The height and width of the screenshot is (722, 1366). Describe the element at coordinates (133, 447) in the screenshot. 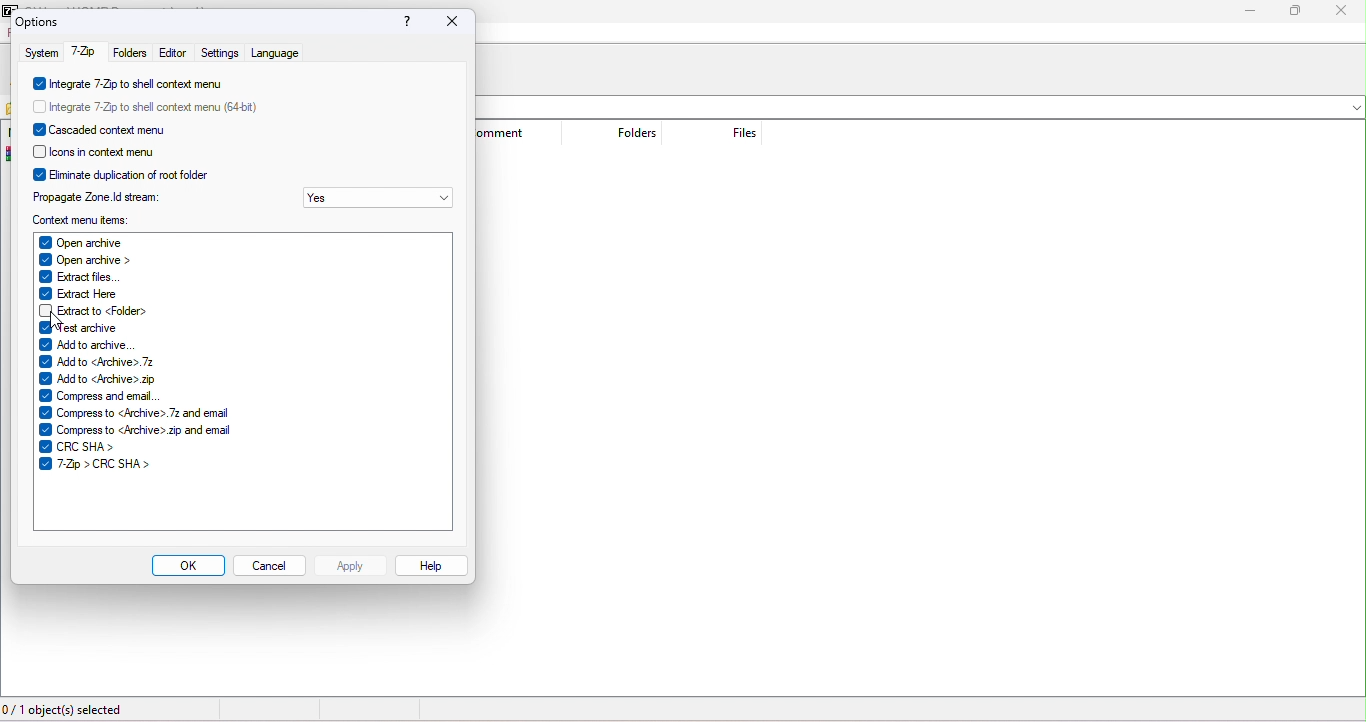

I see `crc sha>` at that location.